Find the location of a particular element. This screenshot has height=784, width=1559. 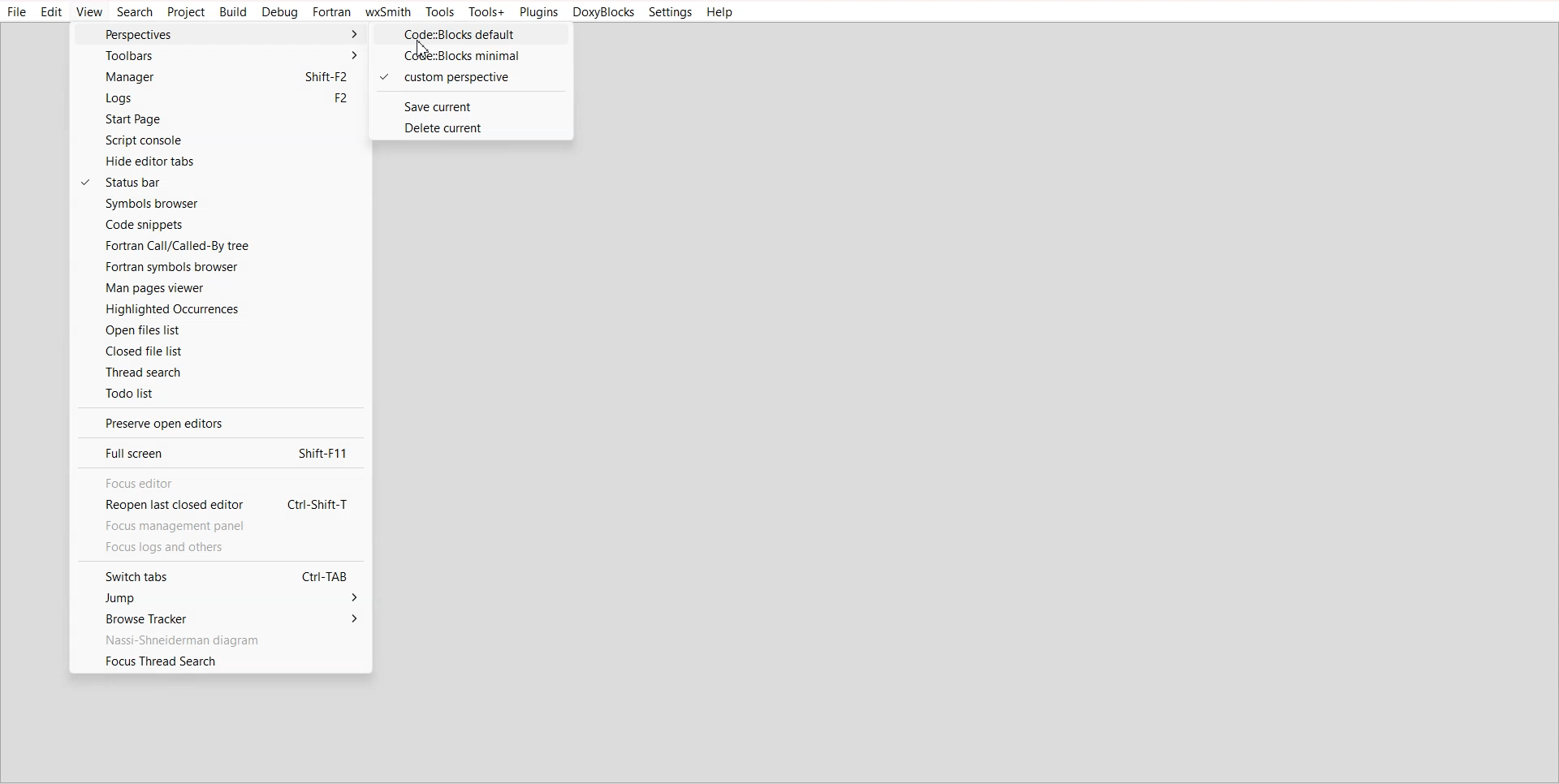

Start Page is located at coordinates (217, 120).